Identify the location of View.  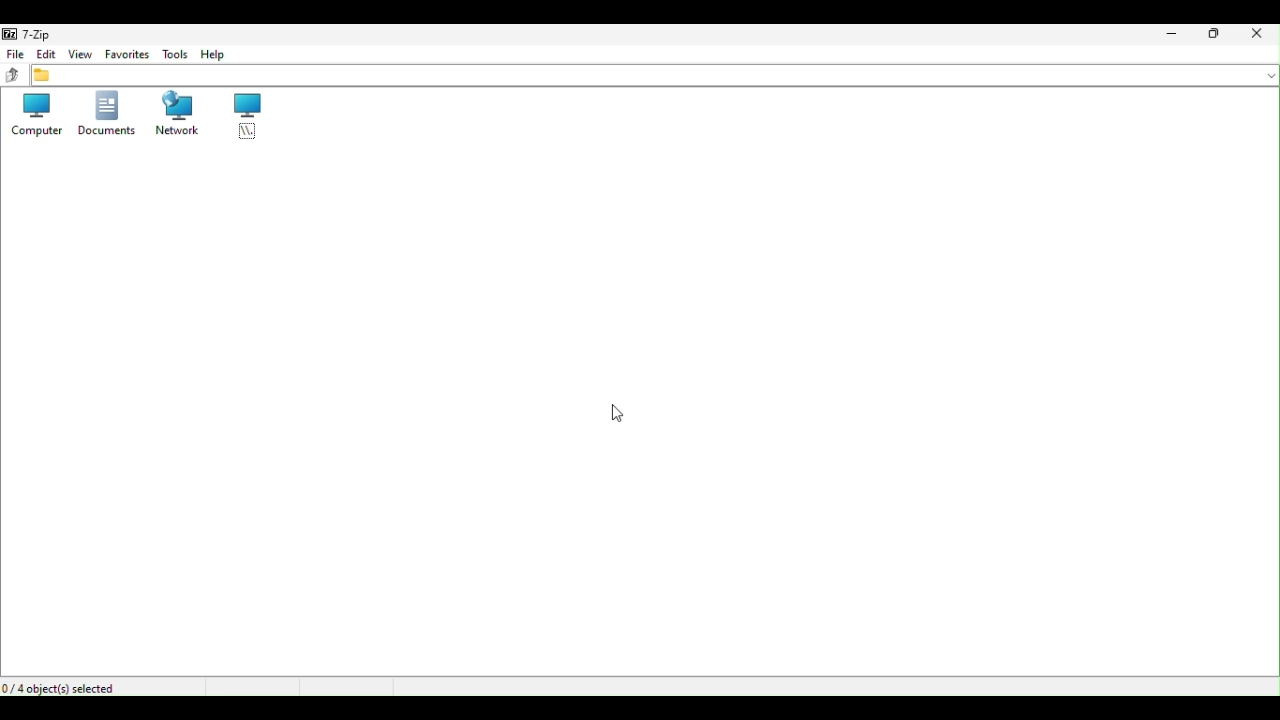
(82, 56).